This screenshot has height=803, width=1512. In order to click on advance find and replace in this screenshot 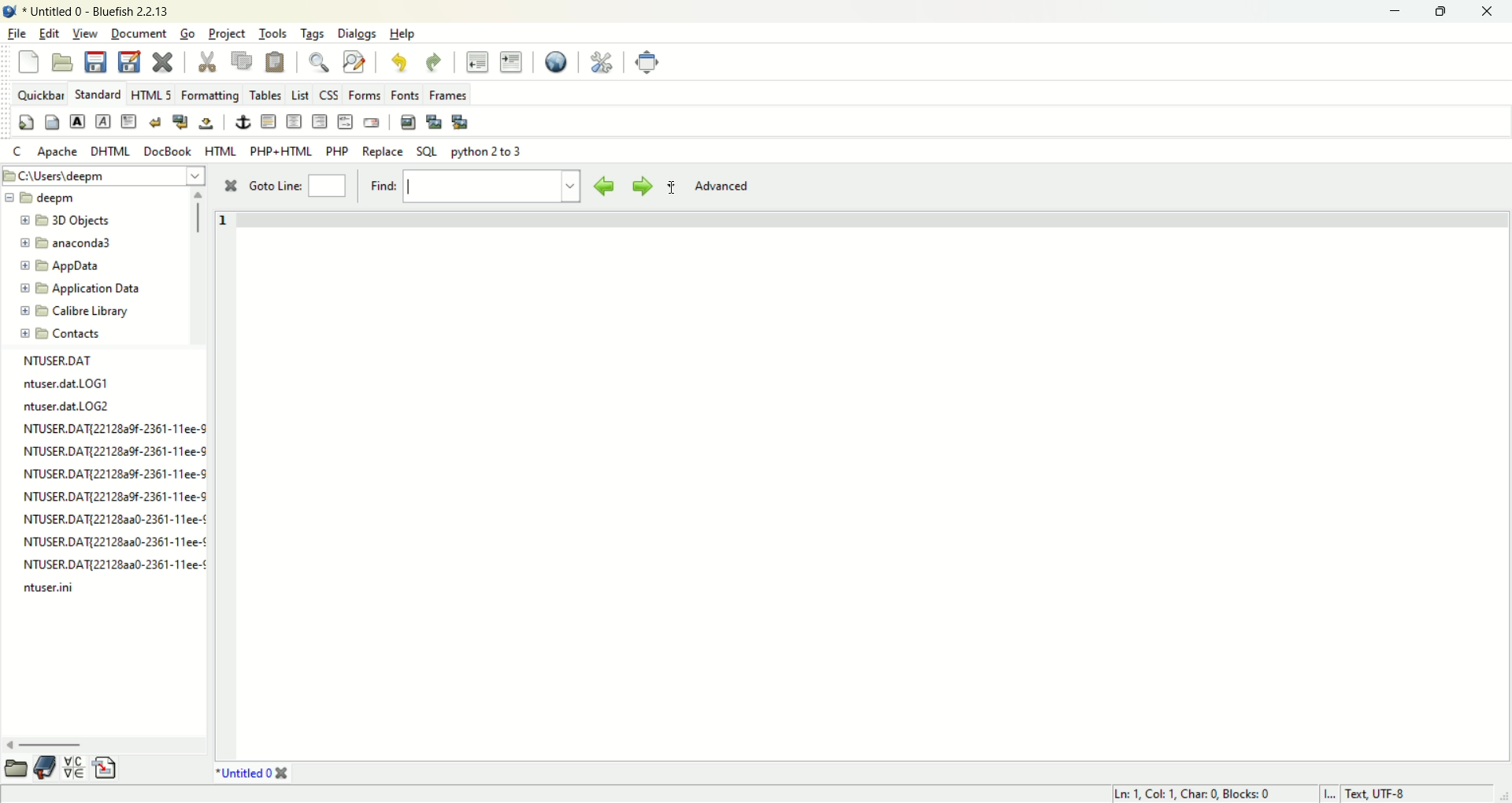, I will do `click(354, 61)`.